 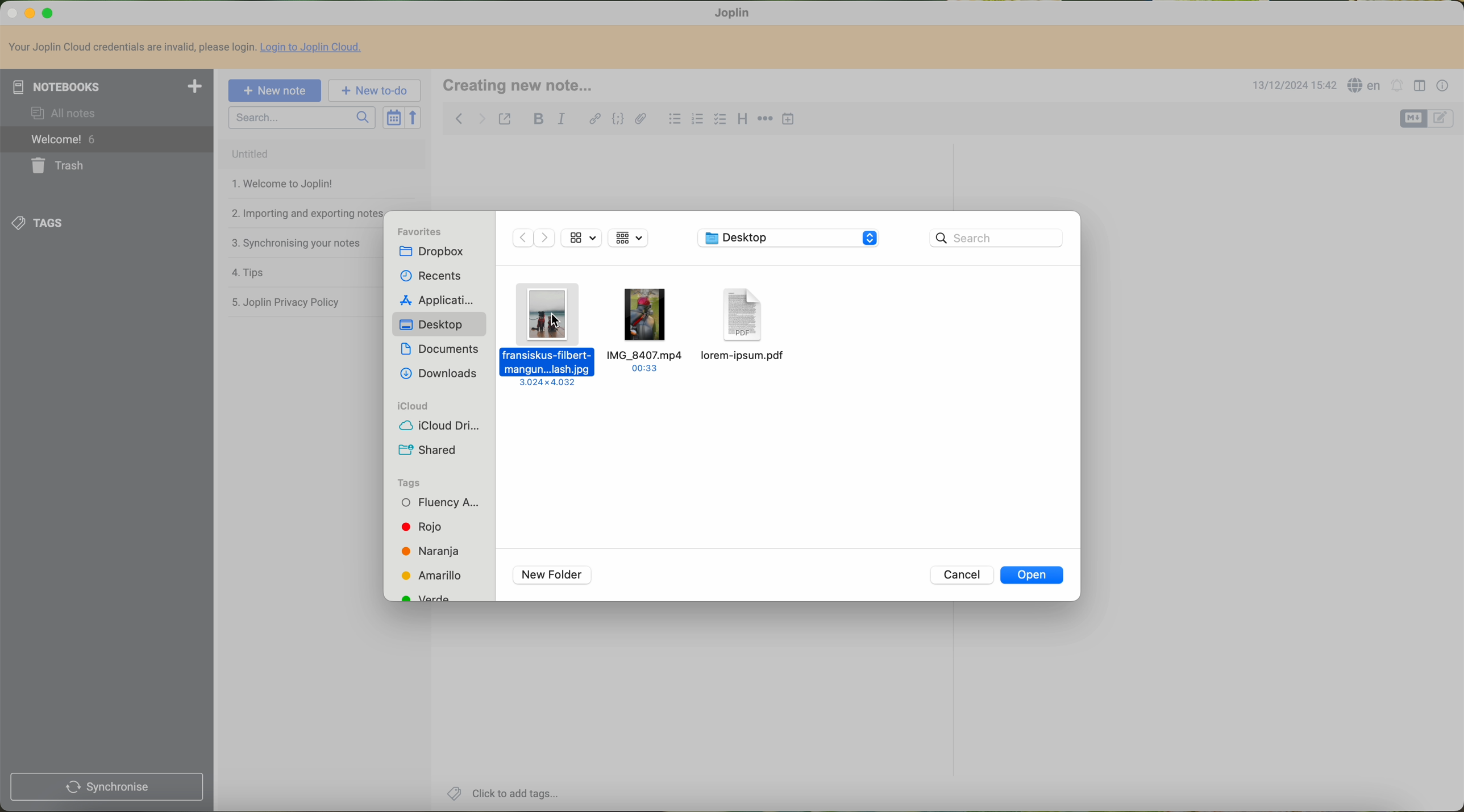 What do you see at coordinates (107, 140) in the screenshot?
I see `welcome` at bounding box center [107, 140].